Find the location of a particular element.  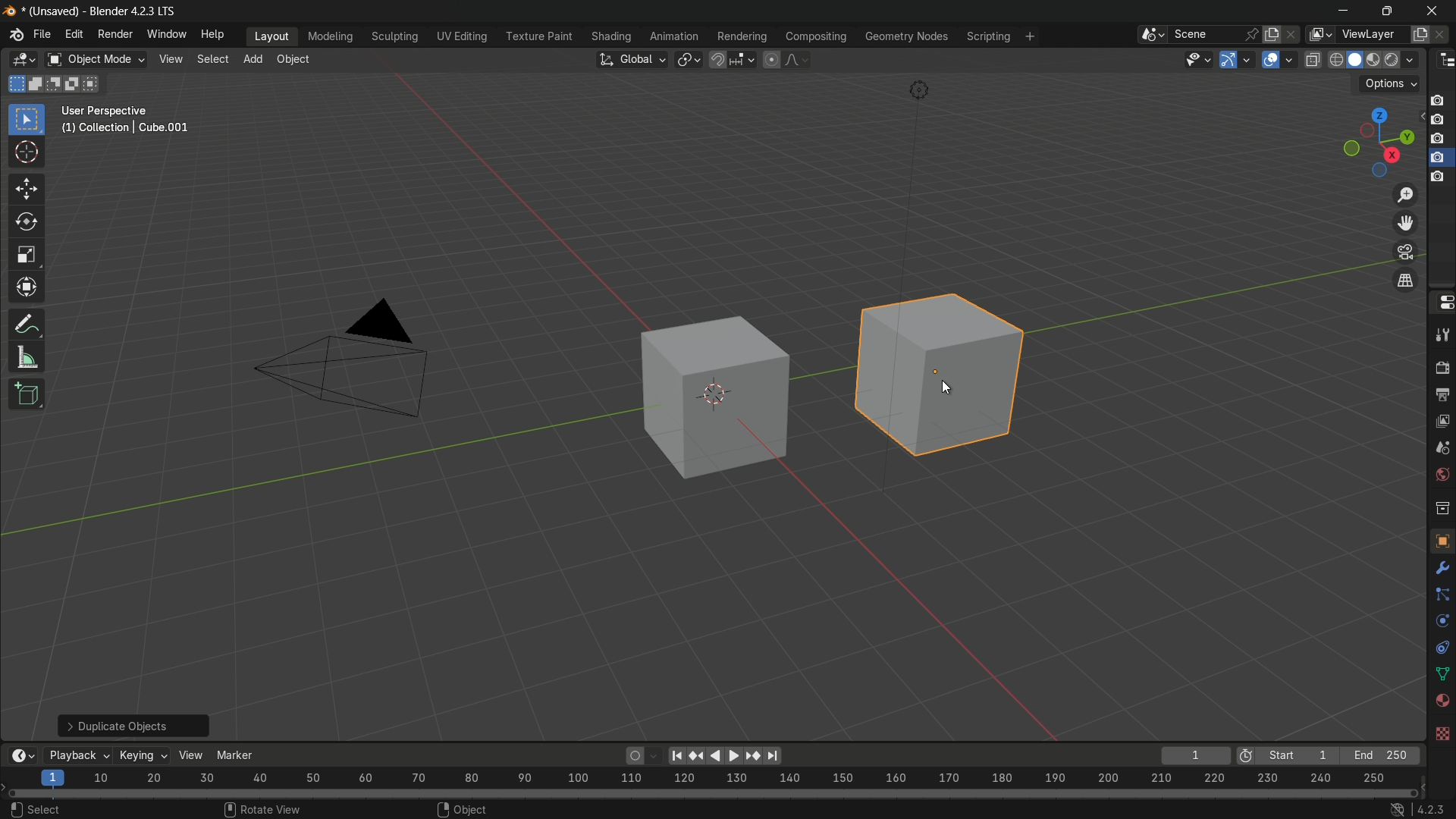

view tab is located at coordinates (169, 60).